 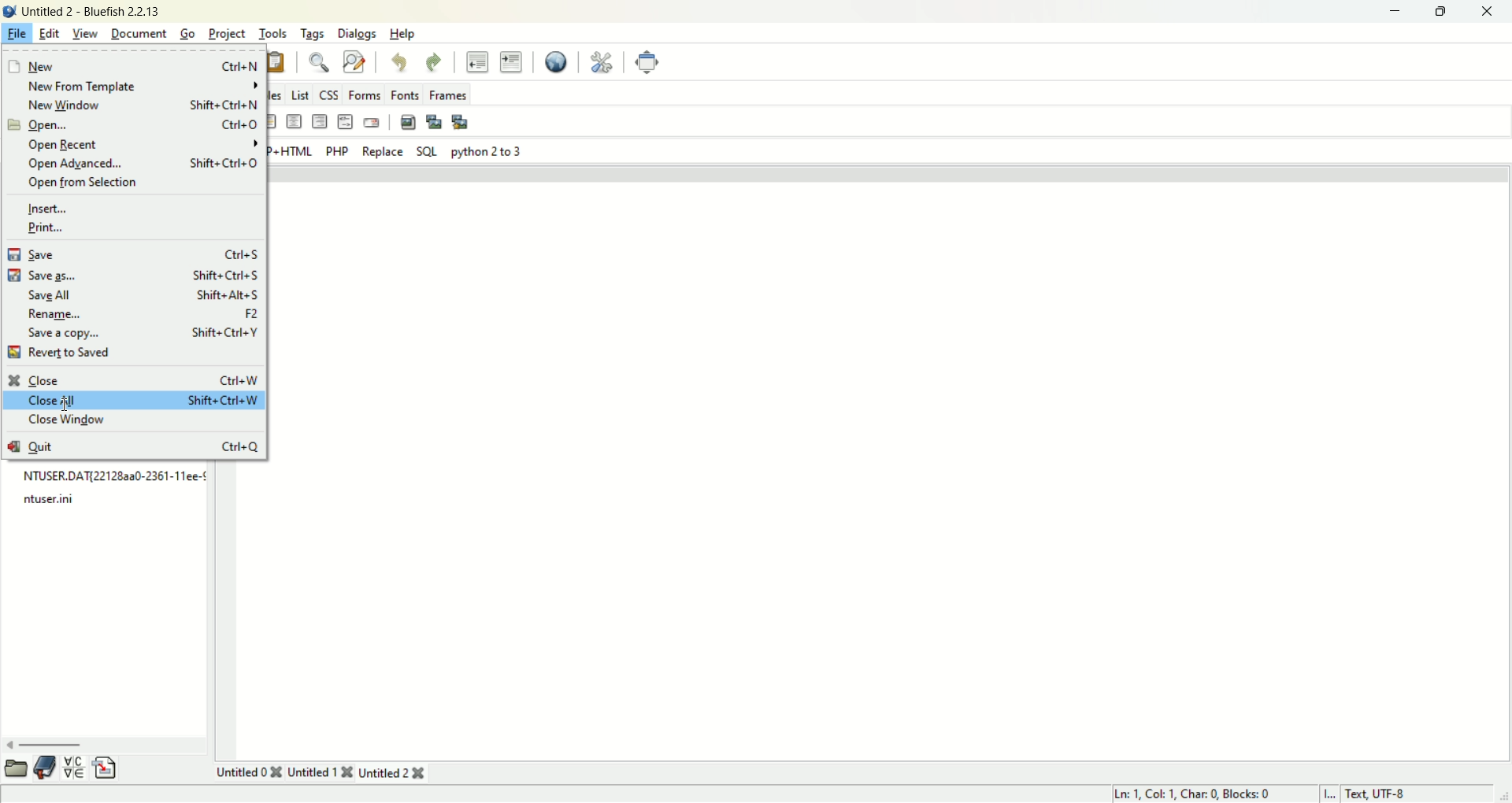 I want to click on insert, so click(x=50, y=207).